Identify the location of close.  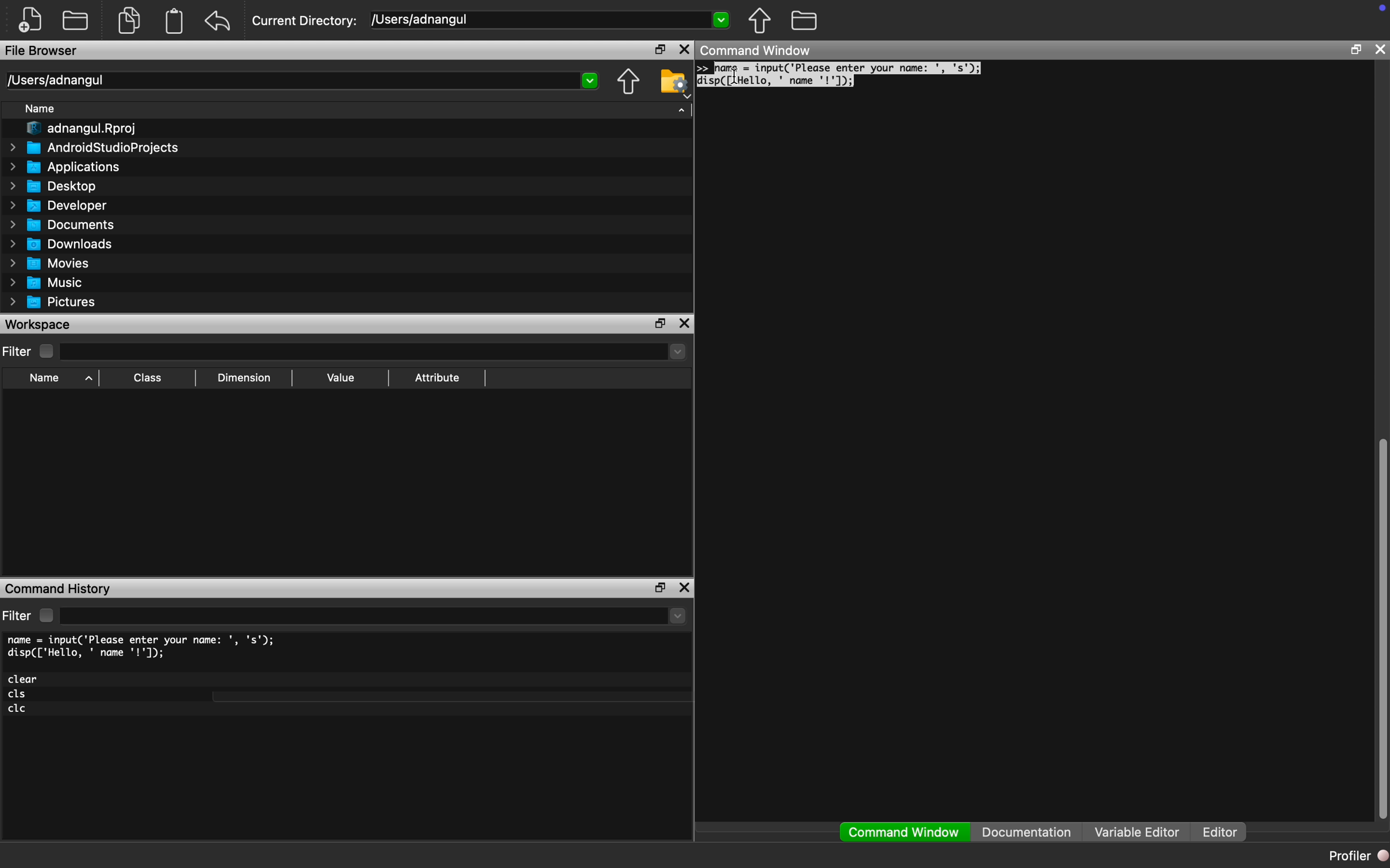
(686, 49).